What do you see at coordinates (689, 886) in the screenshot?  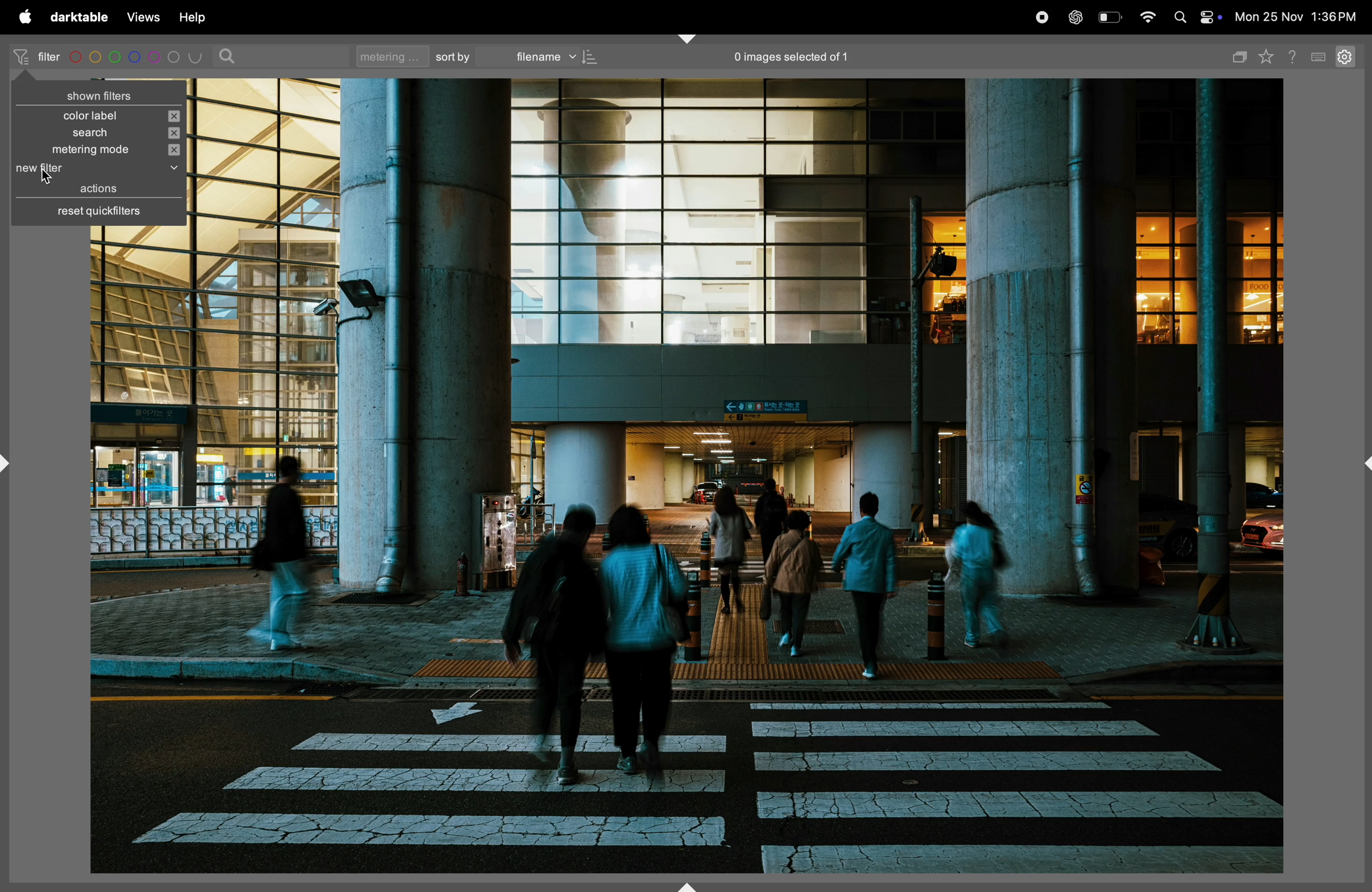 I see `shift+ctrl+b` at bounding box center [689, 886].